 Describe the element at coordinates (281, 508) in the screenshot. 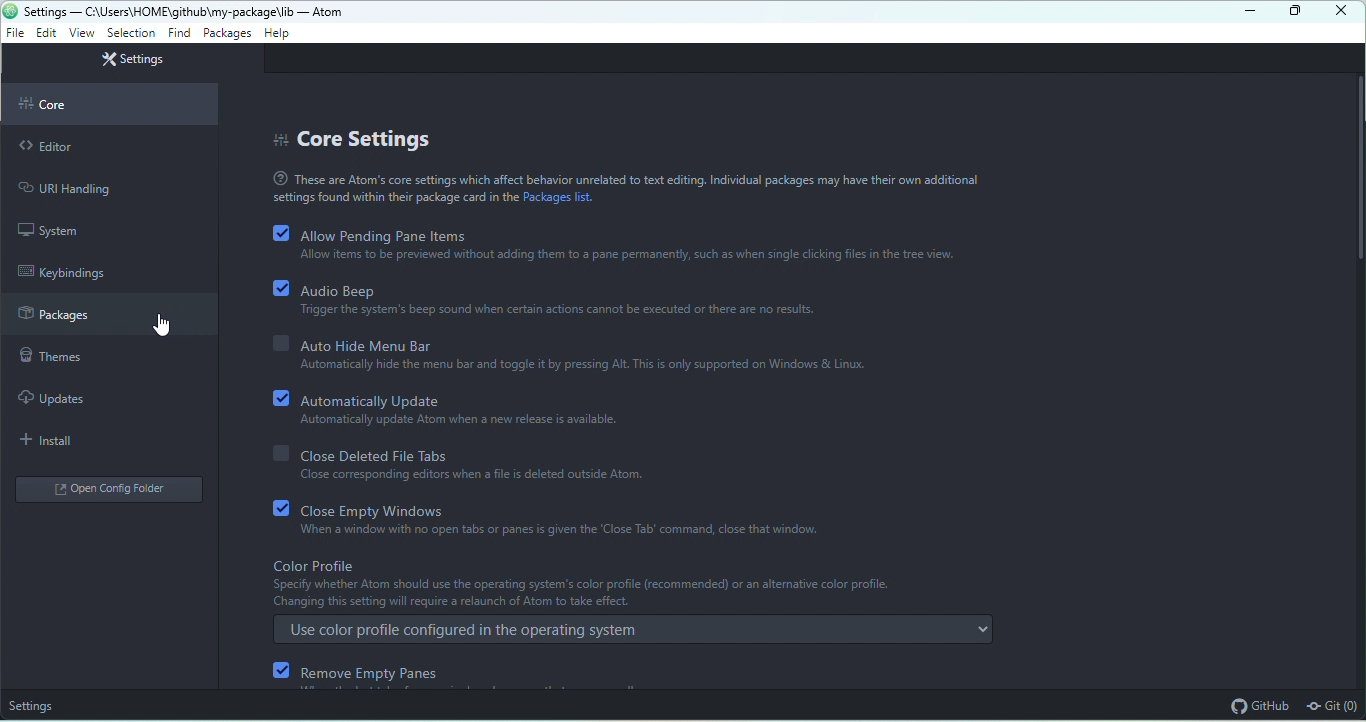

I see `checkbox with tick` at that location.